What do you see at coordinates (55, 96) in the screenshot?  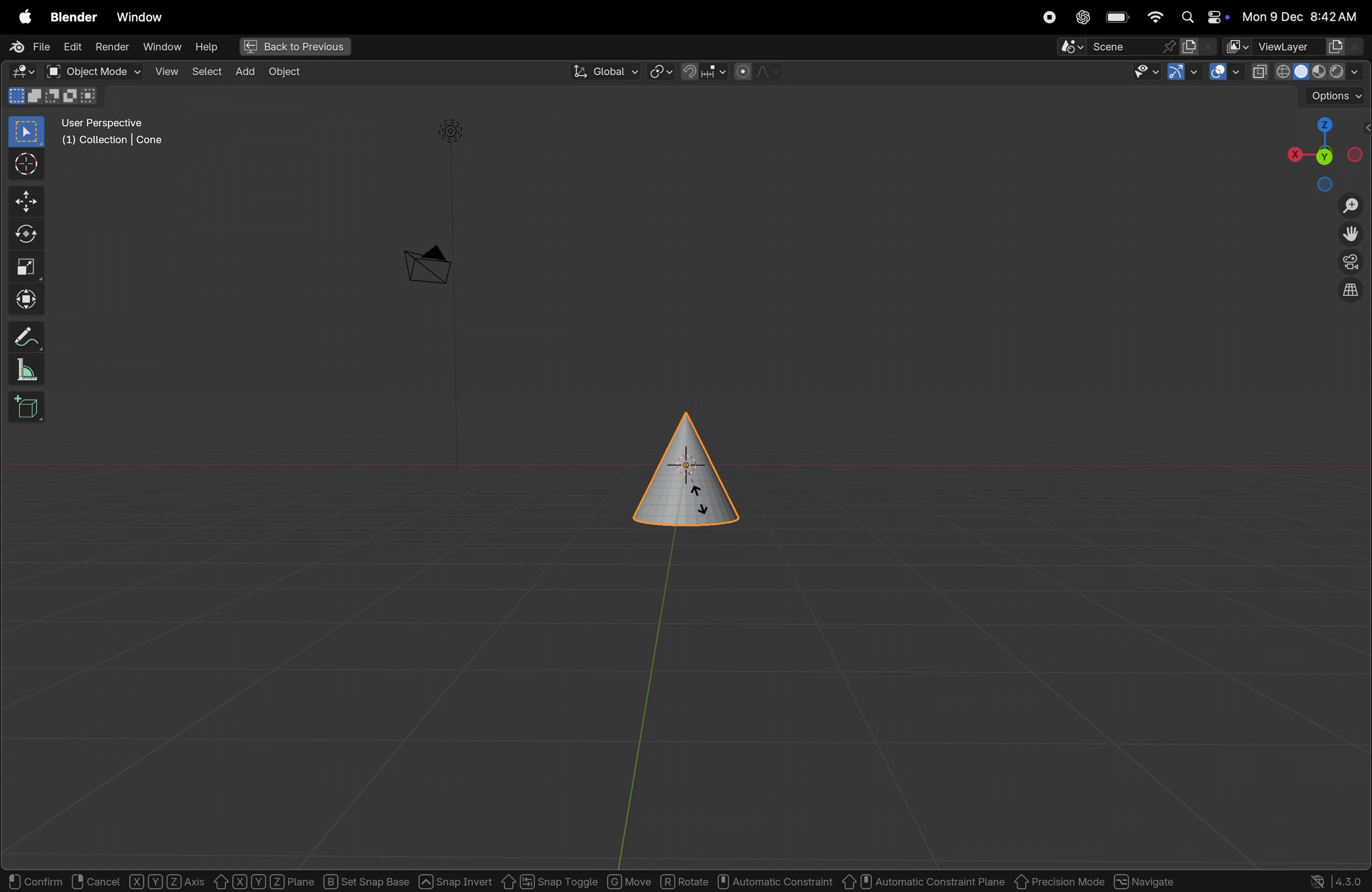 I see `mode` at bounding box center [55, 96].